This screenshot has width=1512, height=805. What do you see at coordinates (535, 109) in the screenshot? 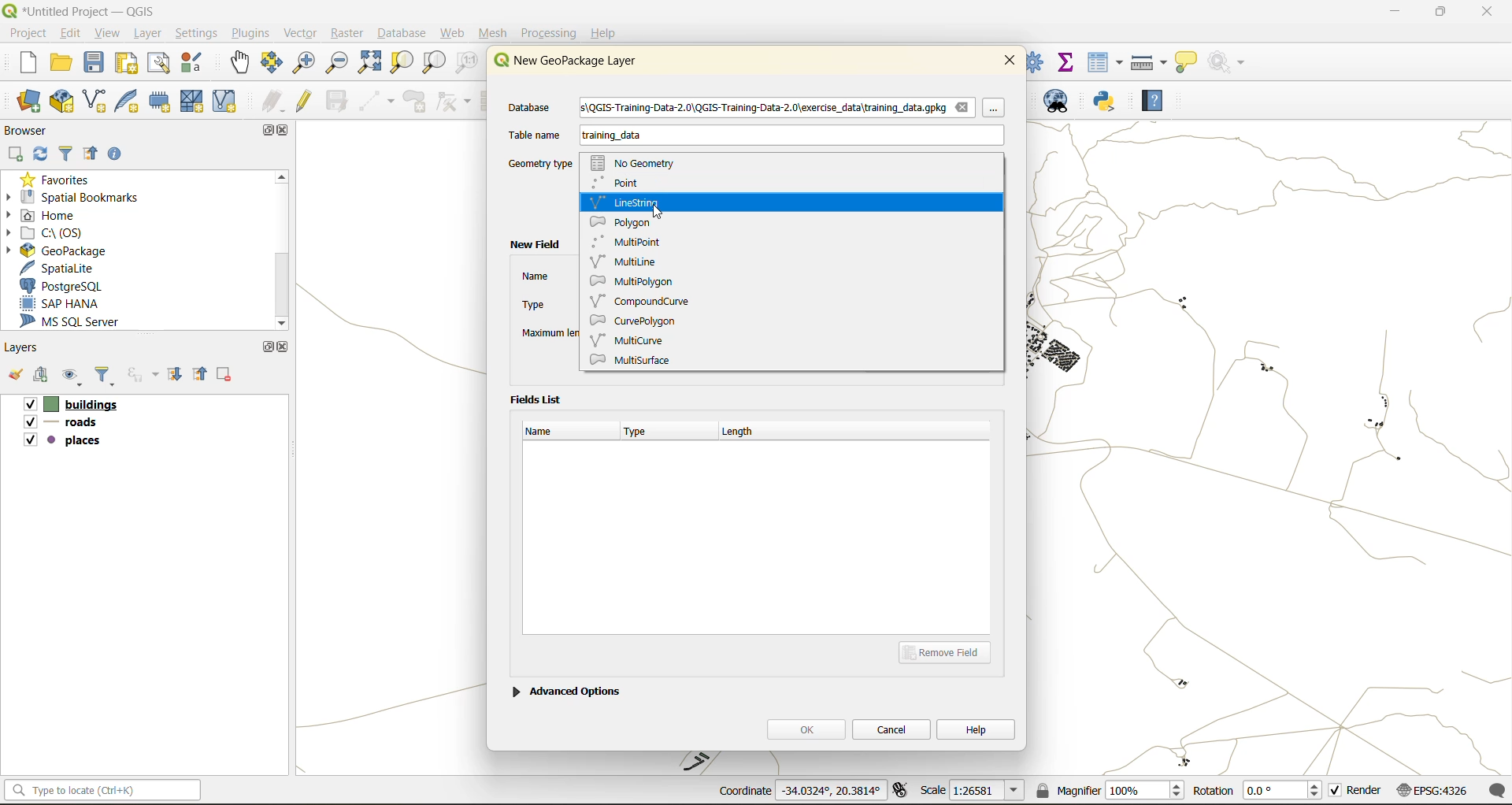
I see `database` at bounding box center [535, 109].